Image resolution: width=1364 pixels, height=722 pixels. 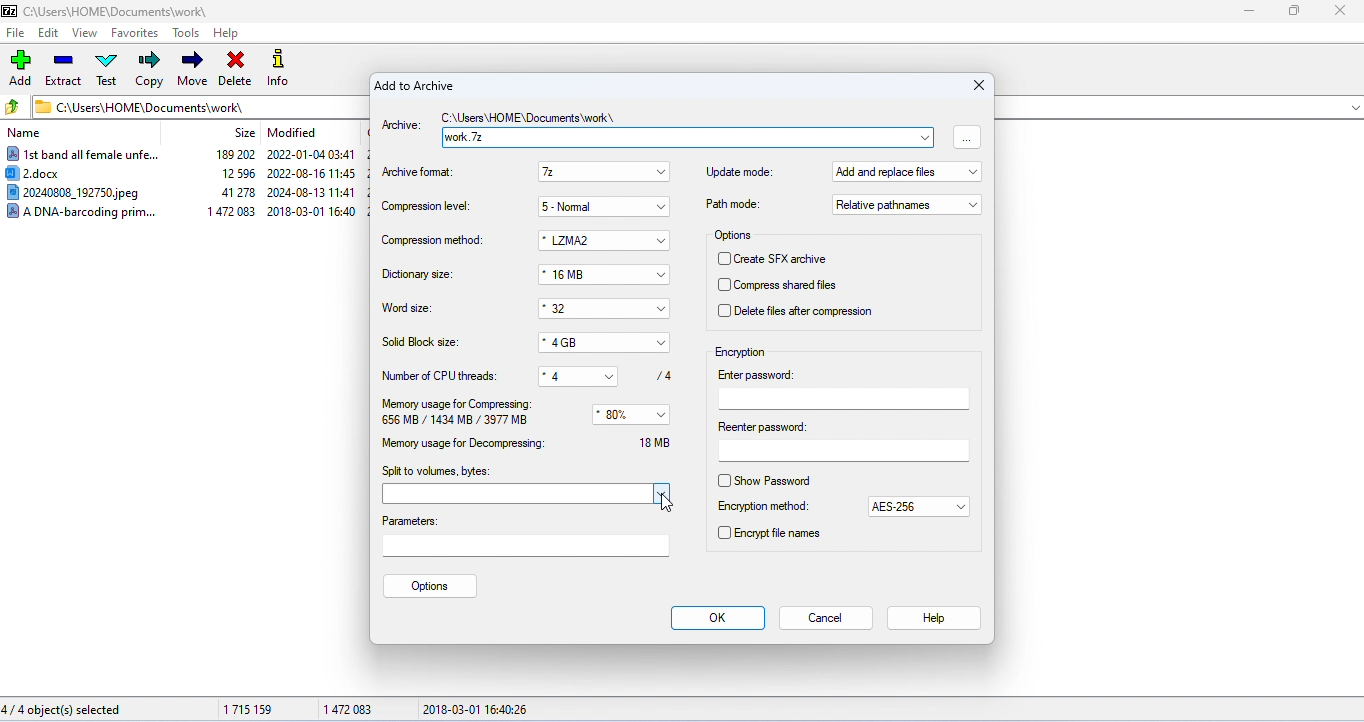 I want to click on view, so click(x=84, y=33).